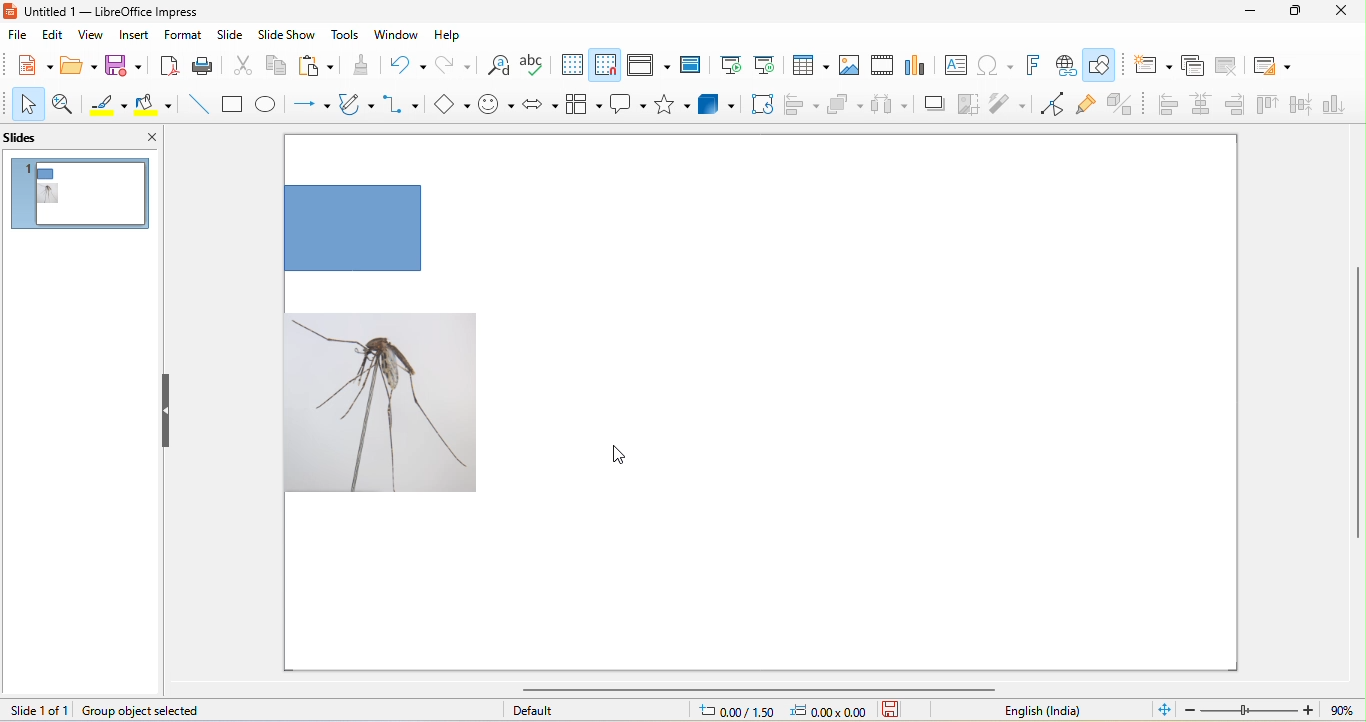 This screenshot has height=722, width=1366. Describe the element at coordinates (954, 65) in the screenshot. I see `text box` at that location.